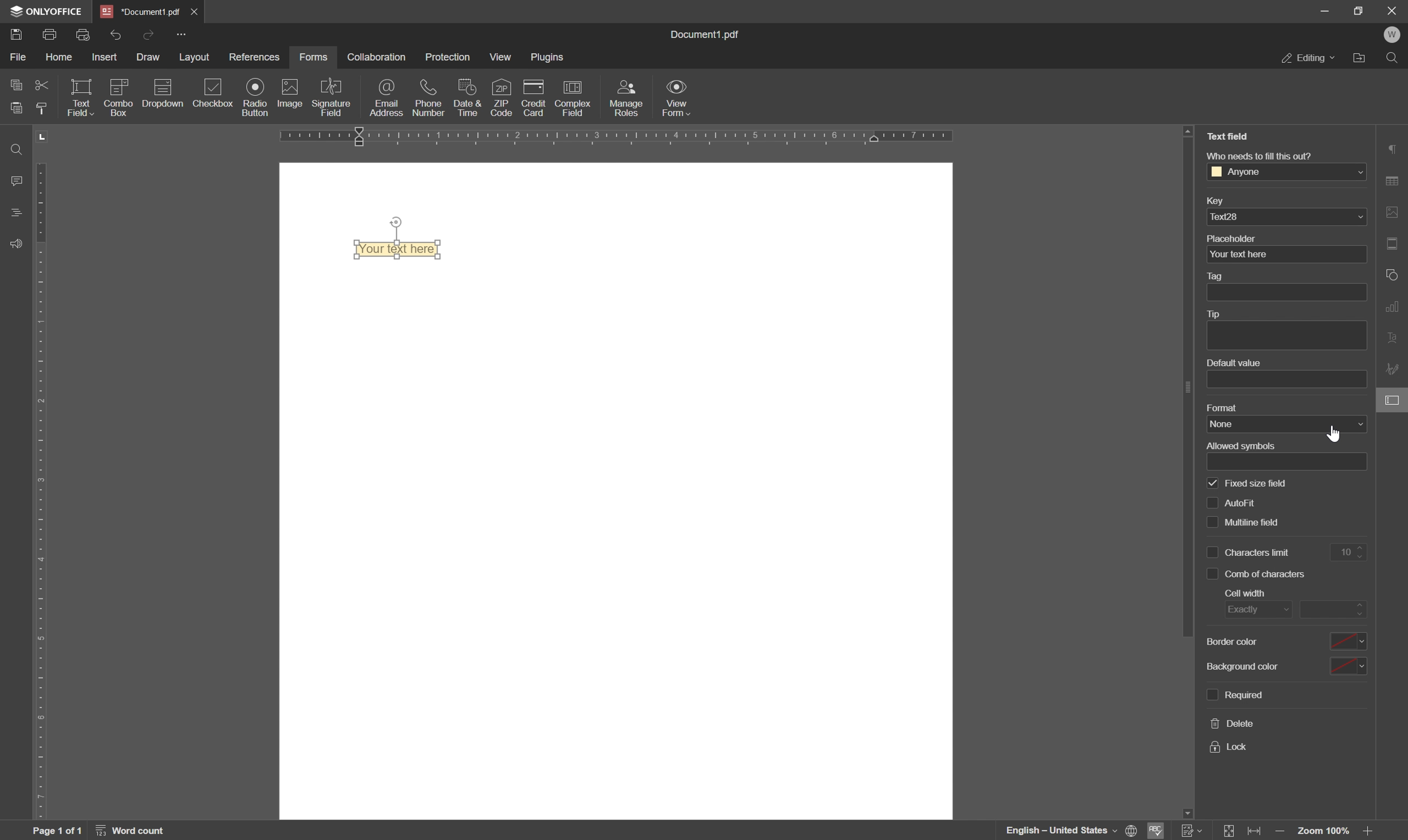 This screenshot has height=840, width=1408. Describe the element at coordinates (427, 99) in the screenshot. I see `phone number` at that location.